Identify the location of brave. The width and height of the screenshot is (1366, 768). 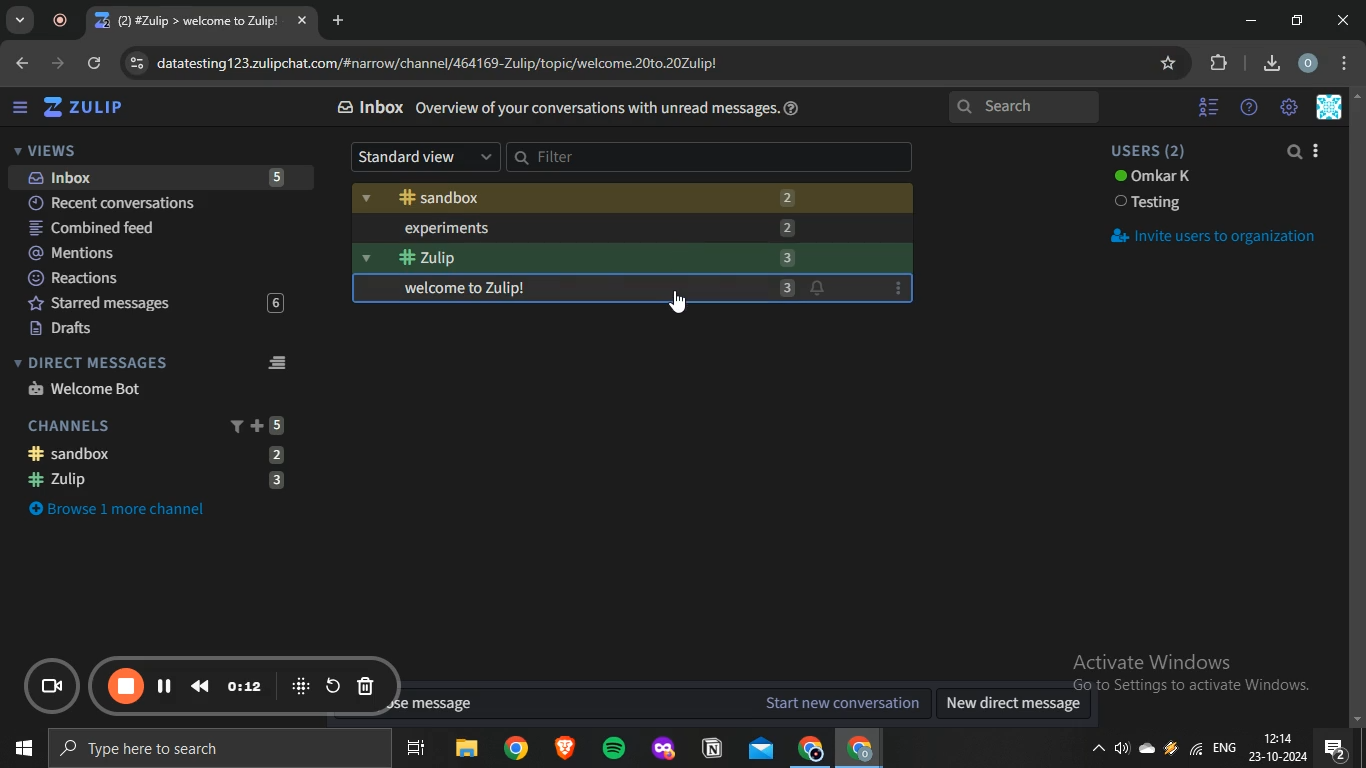
(563, 750).